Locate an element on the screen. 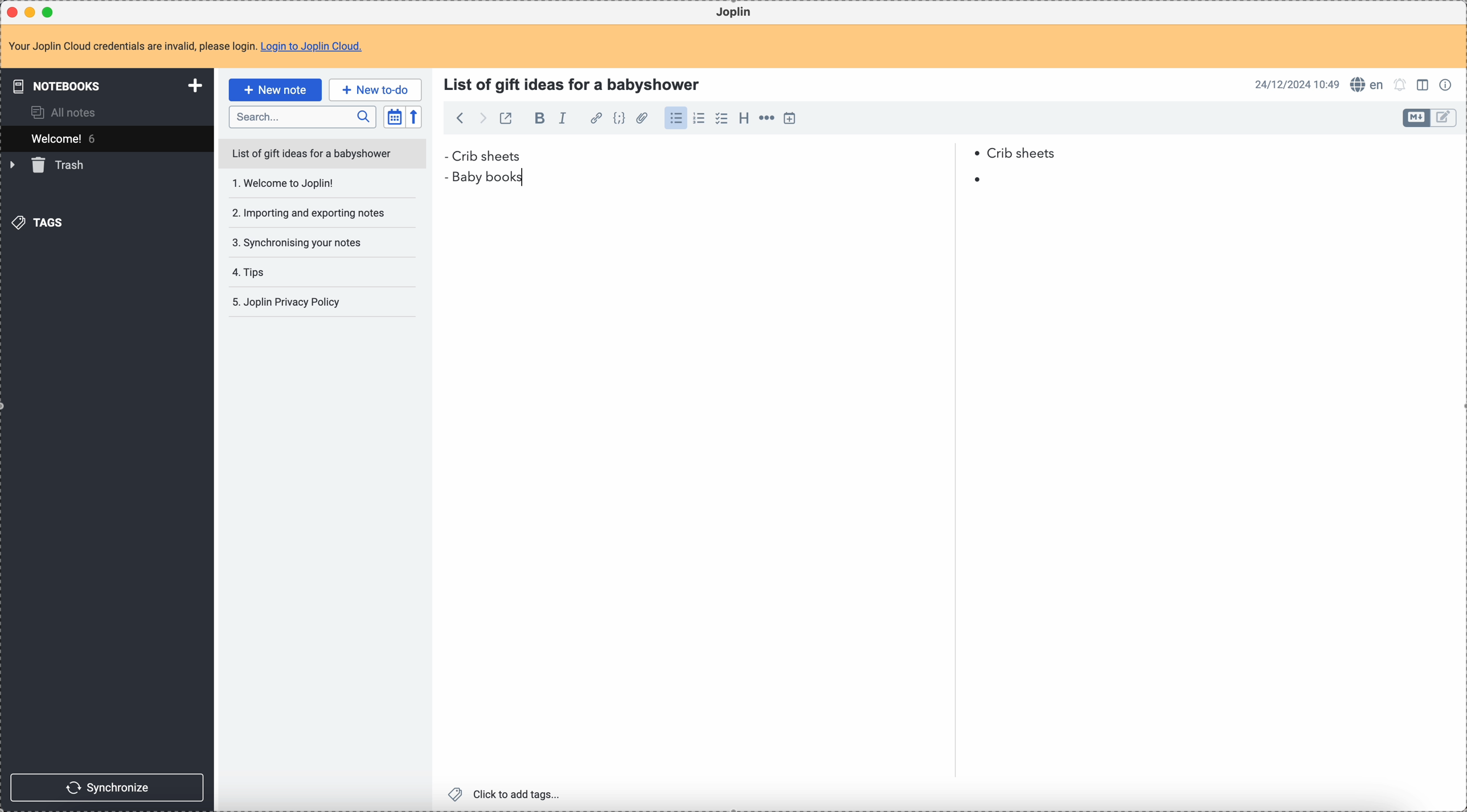 The image size is (1467, 812). foward is located at coordinates (483, 118).